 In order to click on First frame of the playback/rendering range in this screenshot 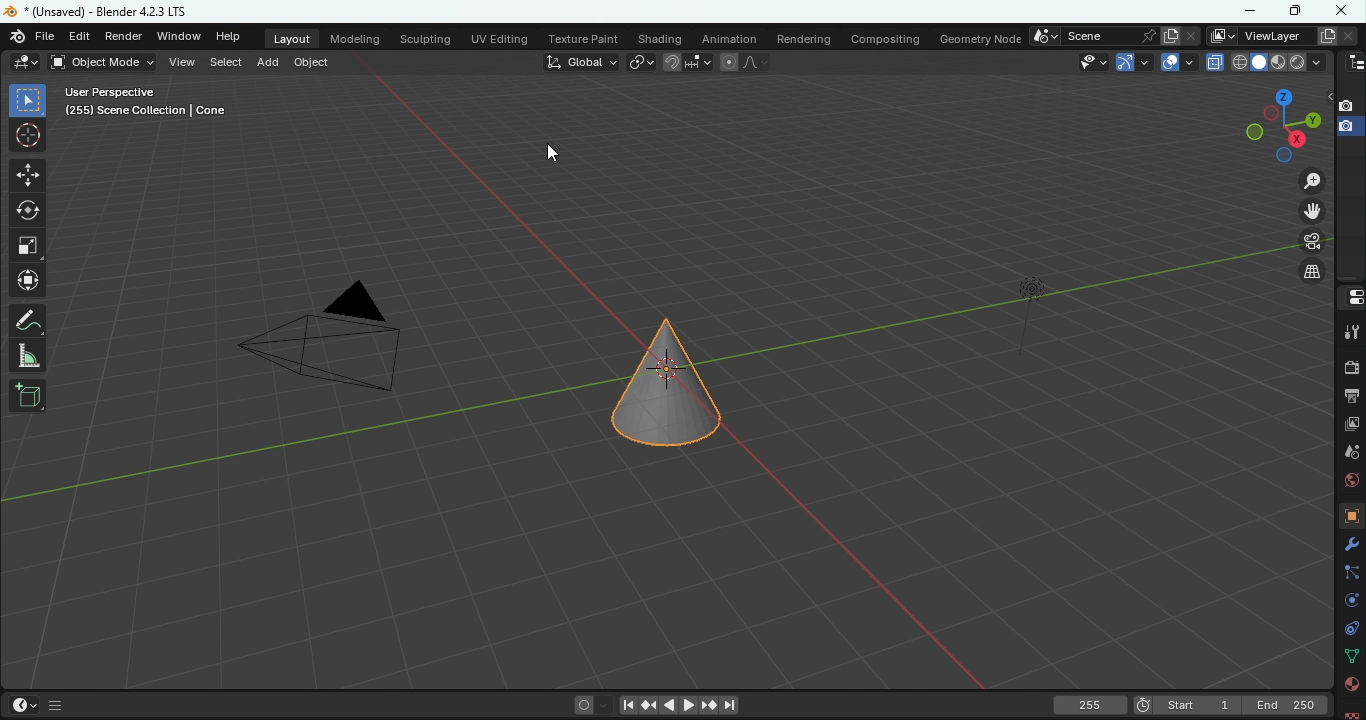, I will do `click(1198, 705)`.